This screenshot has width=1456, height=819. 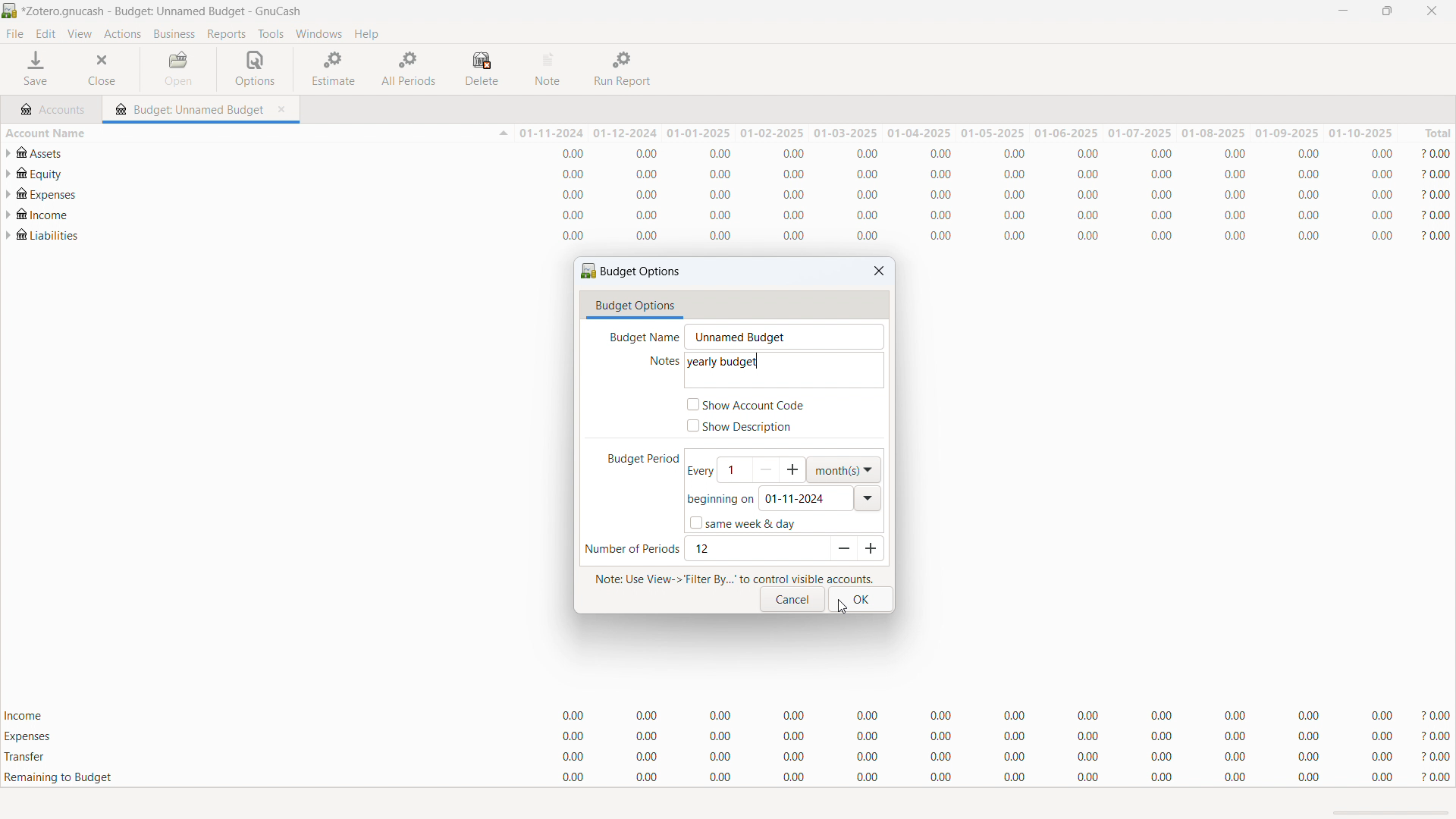 What do you see at coordinates (9, 214) in the screenshot?
I see `expand subaccounts` at bounding box center [9, 214].